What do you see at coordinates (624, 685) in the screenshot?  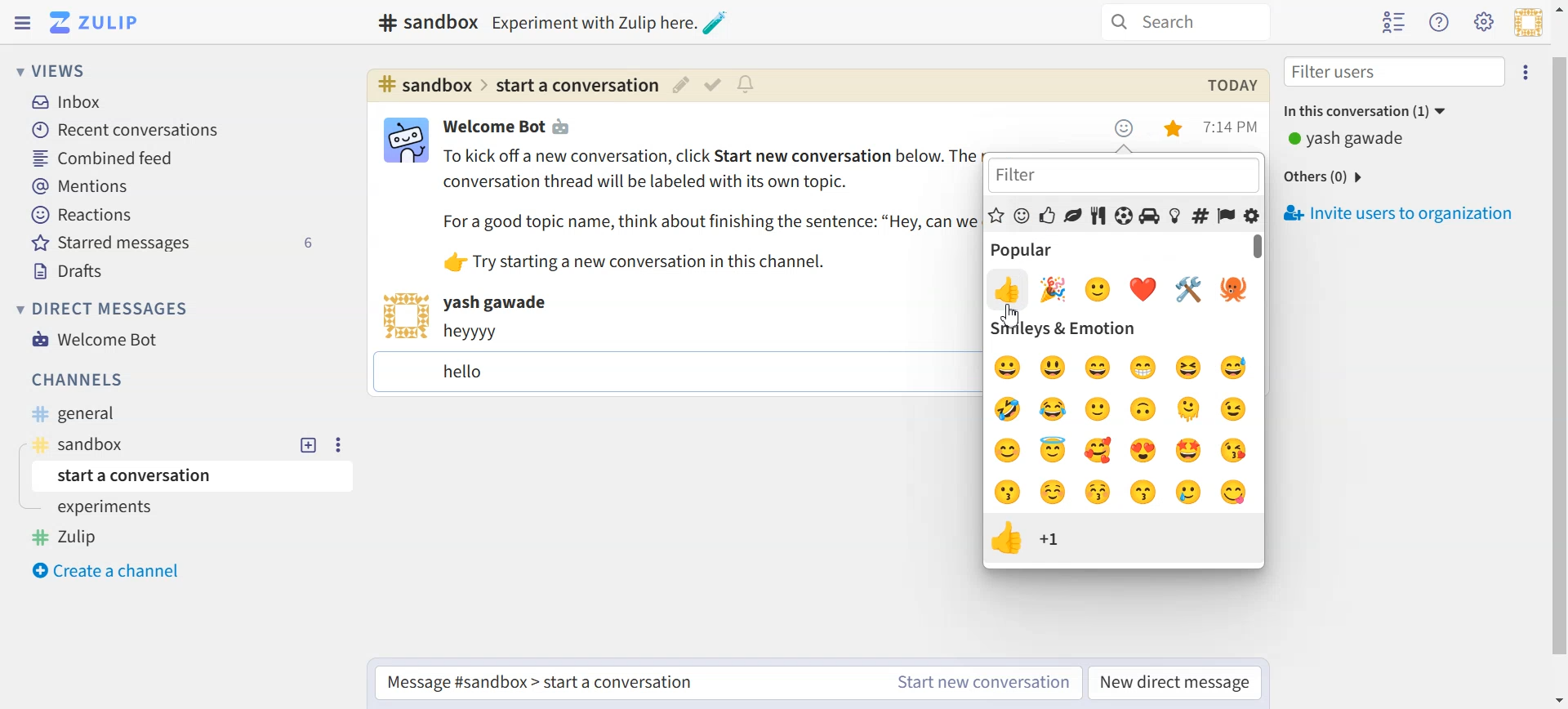 I see `Start a conversation` at bounding box center [624, 685].